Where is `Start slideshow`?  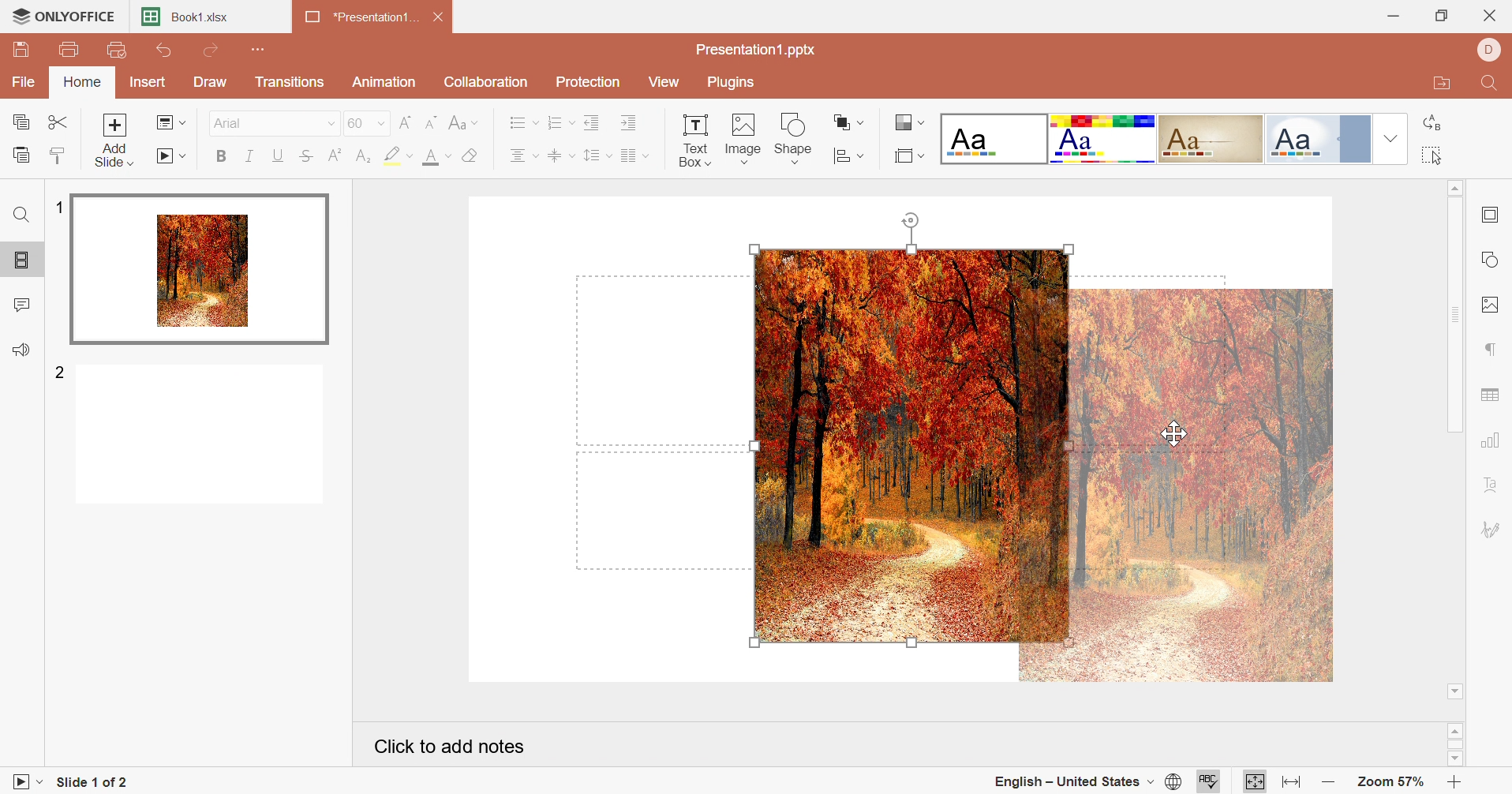 Start slideshow is located at coordinates (23, 780).